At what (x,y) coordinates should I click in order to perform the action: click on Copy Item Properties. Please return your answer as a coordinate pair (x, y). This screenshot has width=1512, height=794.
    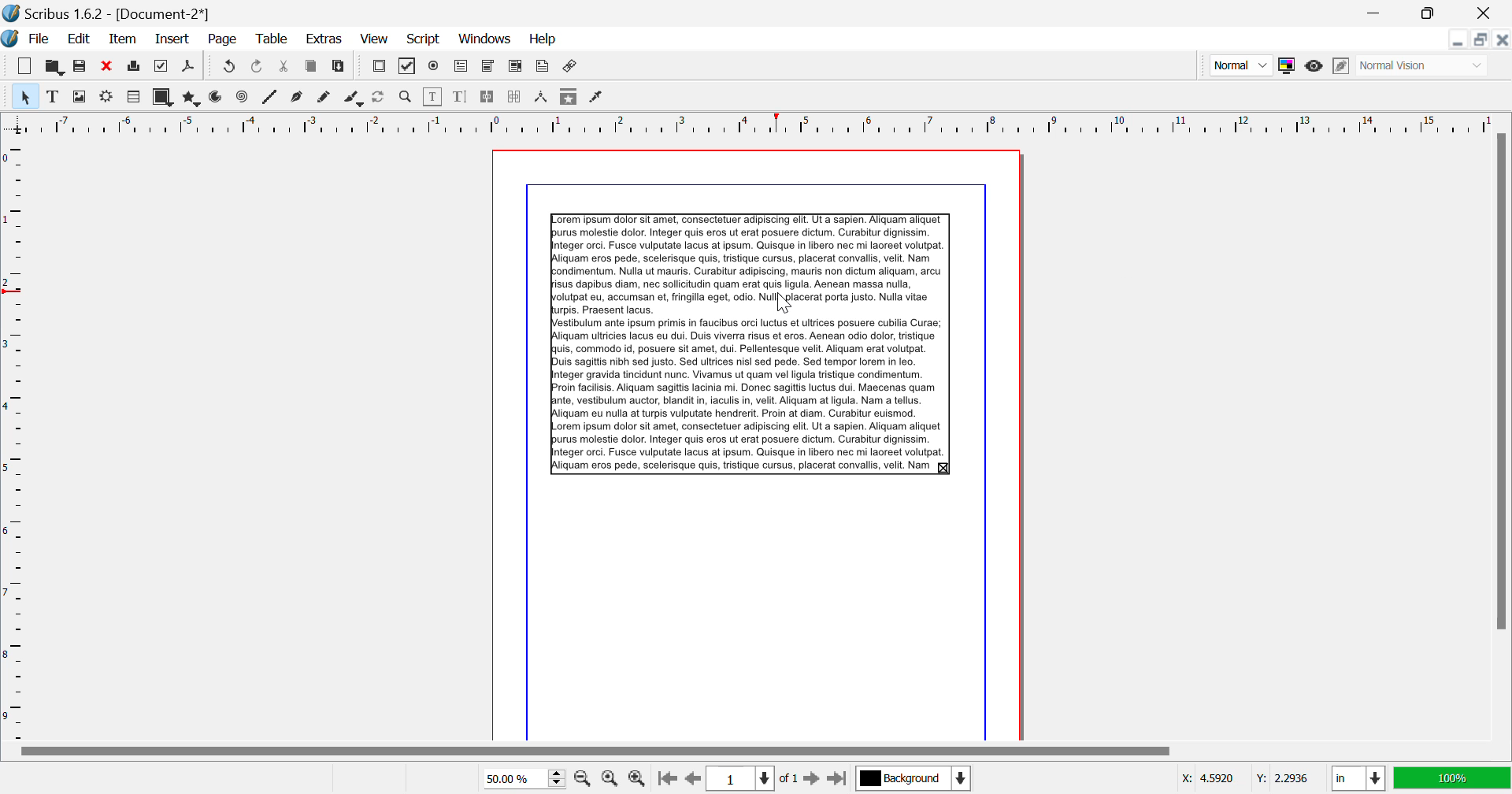
    Looking at the image, I should click on (570, 96).